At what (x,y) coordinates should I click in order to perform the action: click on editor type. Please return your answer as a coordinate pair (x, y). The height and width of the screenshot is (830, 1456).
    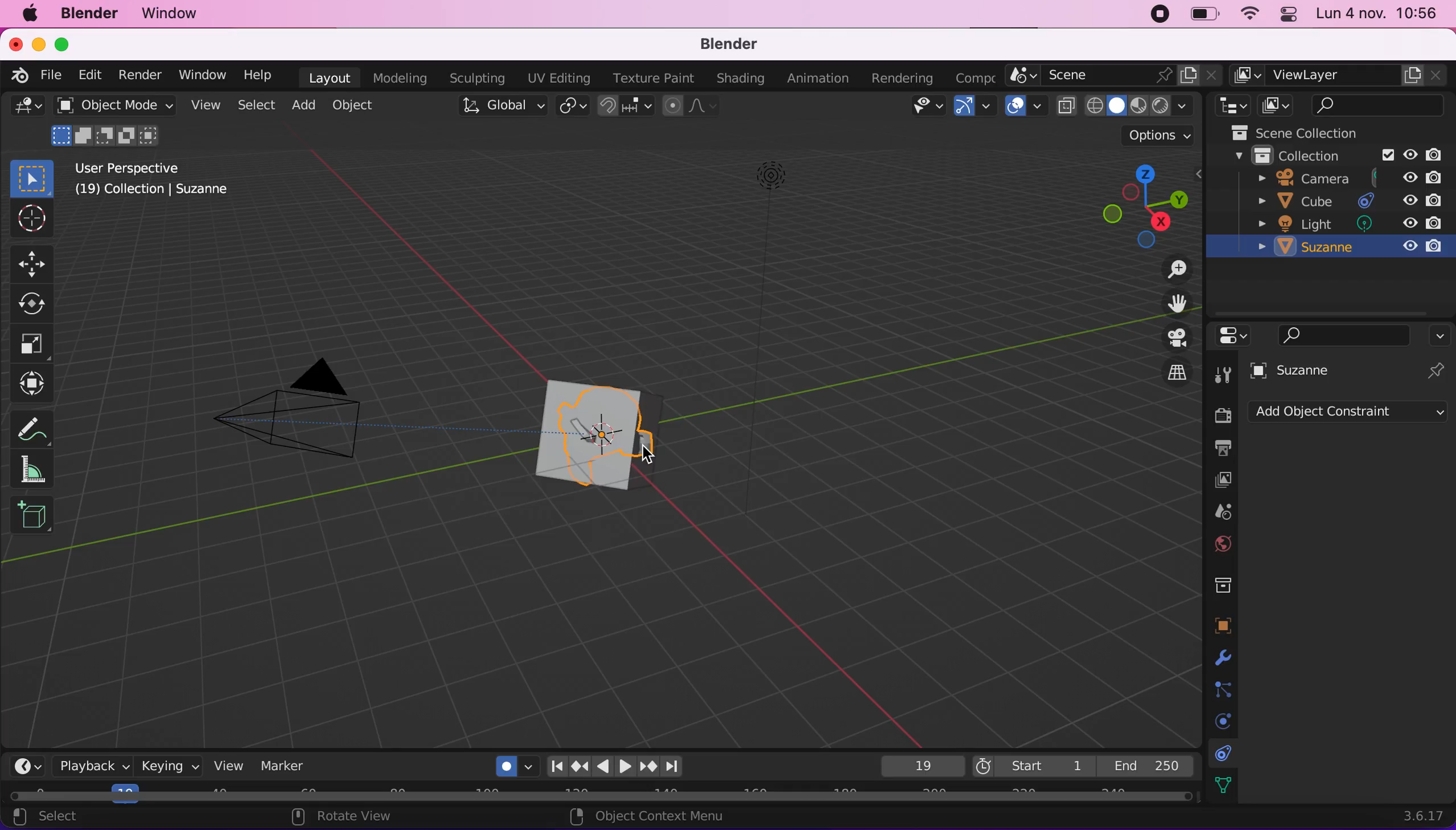
    Looking at the image, I should click on (1234, 337).